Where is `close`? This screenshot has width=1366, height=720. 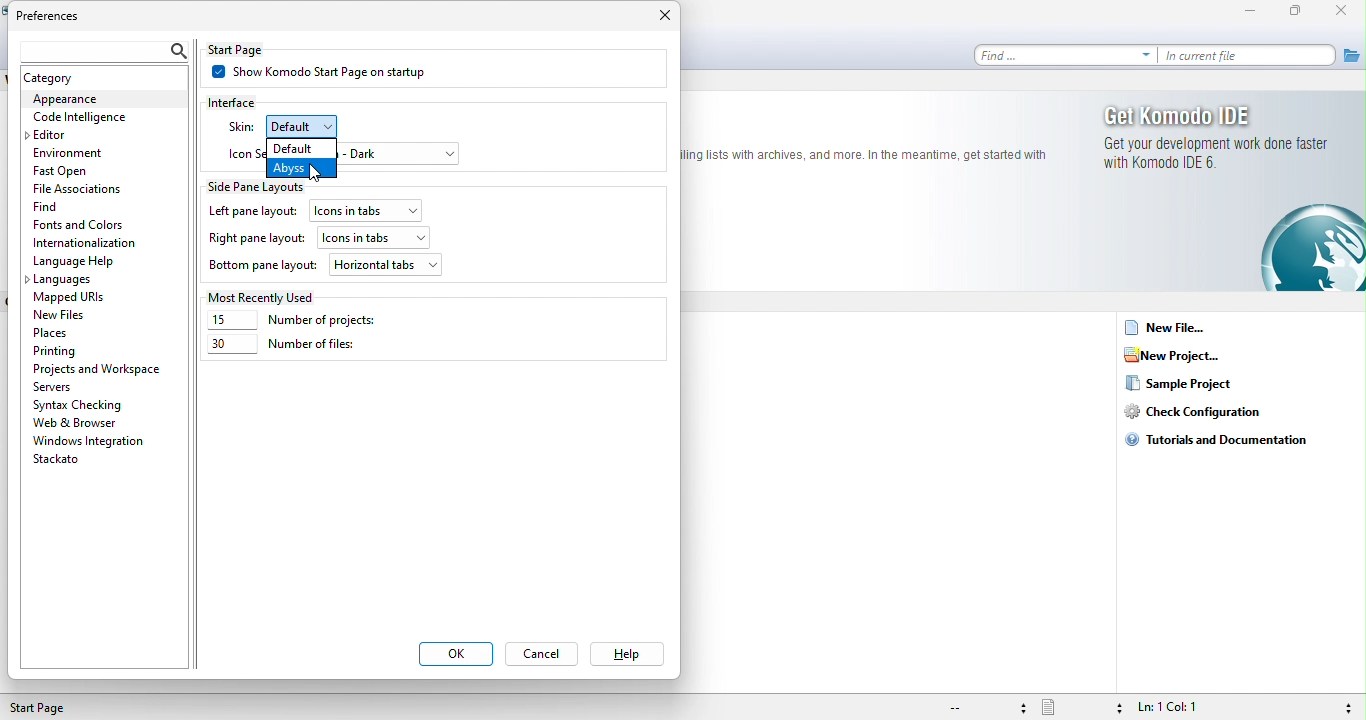
close is located at coordinates (1346, 12).